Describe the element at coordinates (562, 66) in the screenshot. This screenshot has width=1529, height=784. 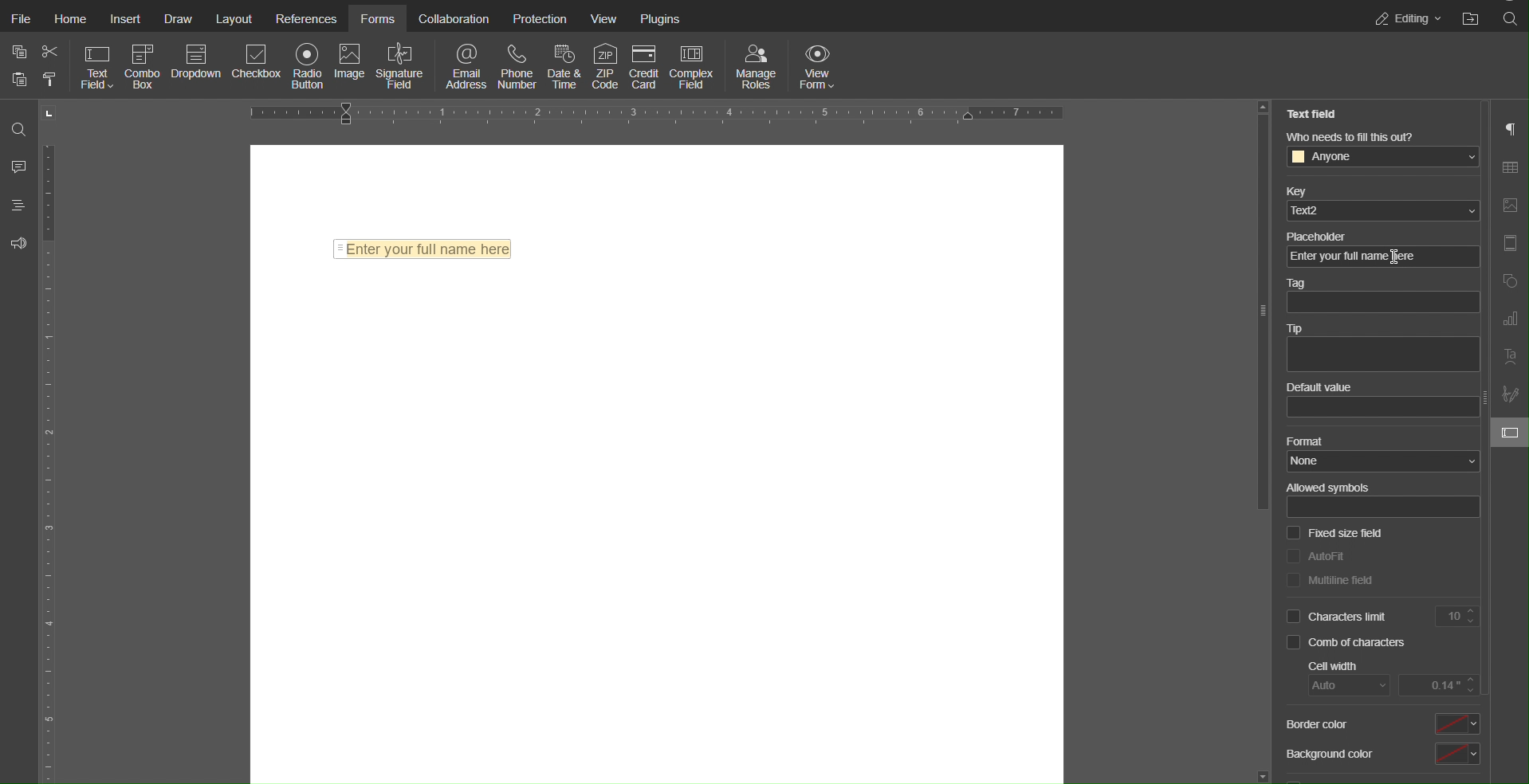
I see `Date & Time` at that location.